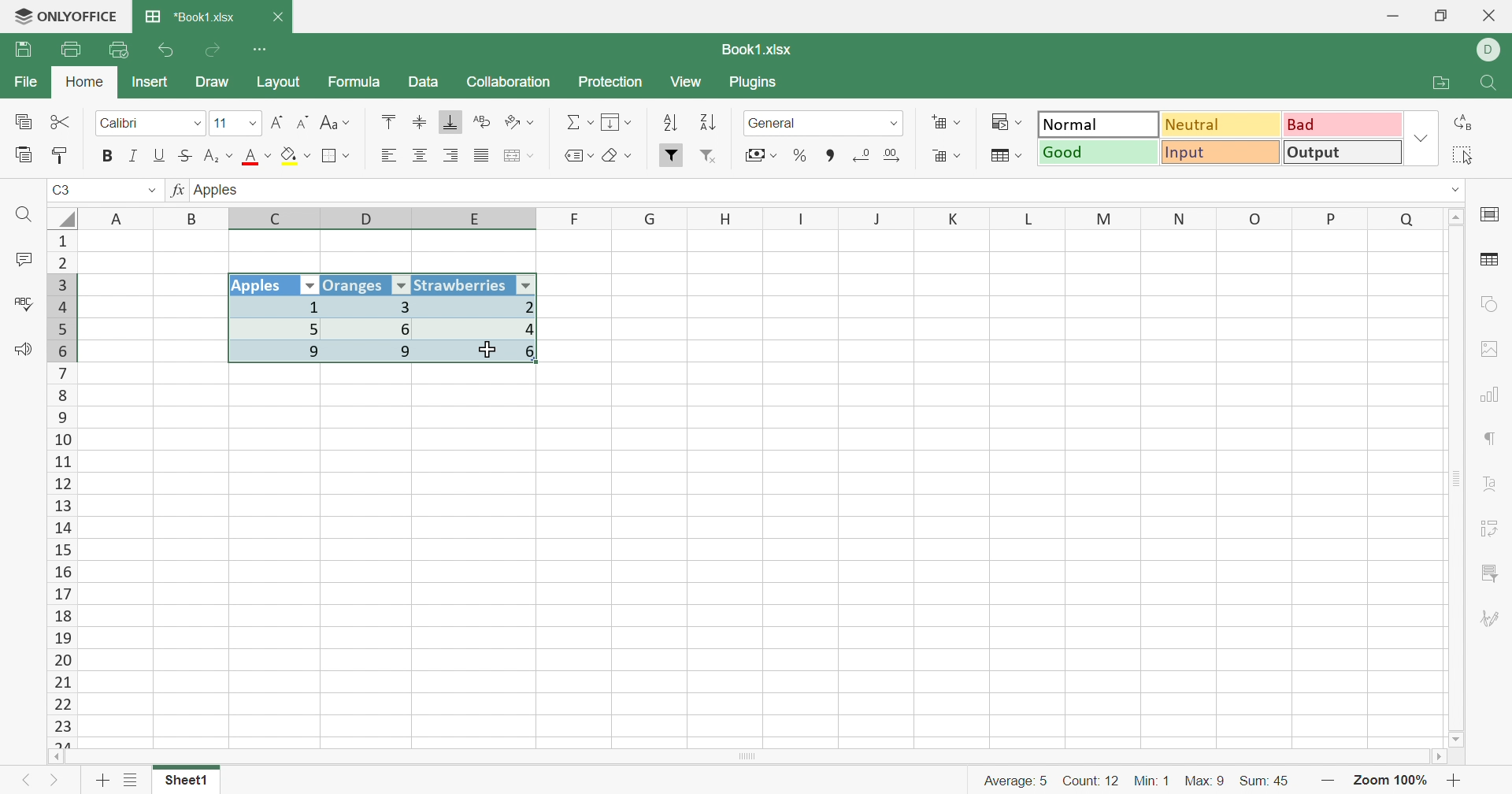 The height and width of the screenshot is (794, 1512). Describe the element at coordinates (1332, 217) in the screenshot. I see `P` at that location.